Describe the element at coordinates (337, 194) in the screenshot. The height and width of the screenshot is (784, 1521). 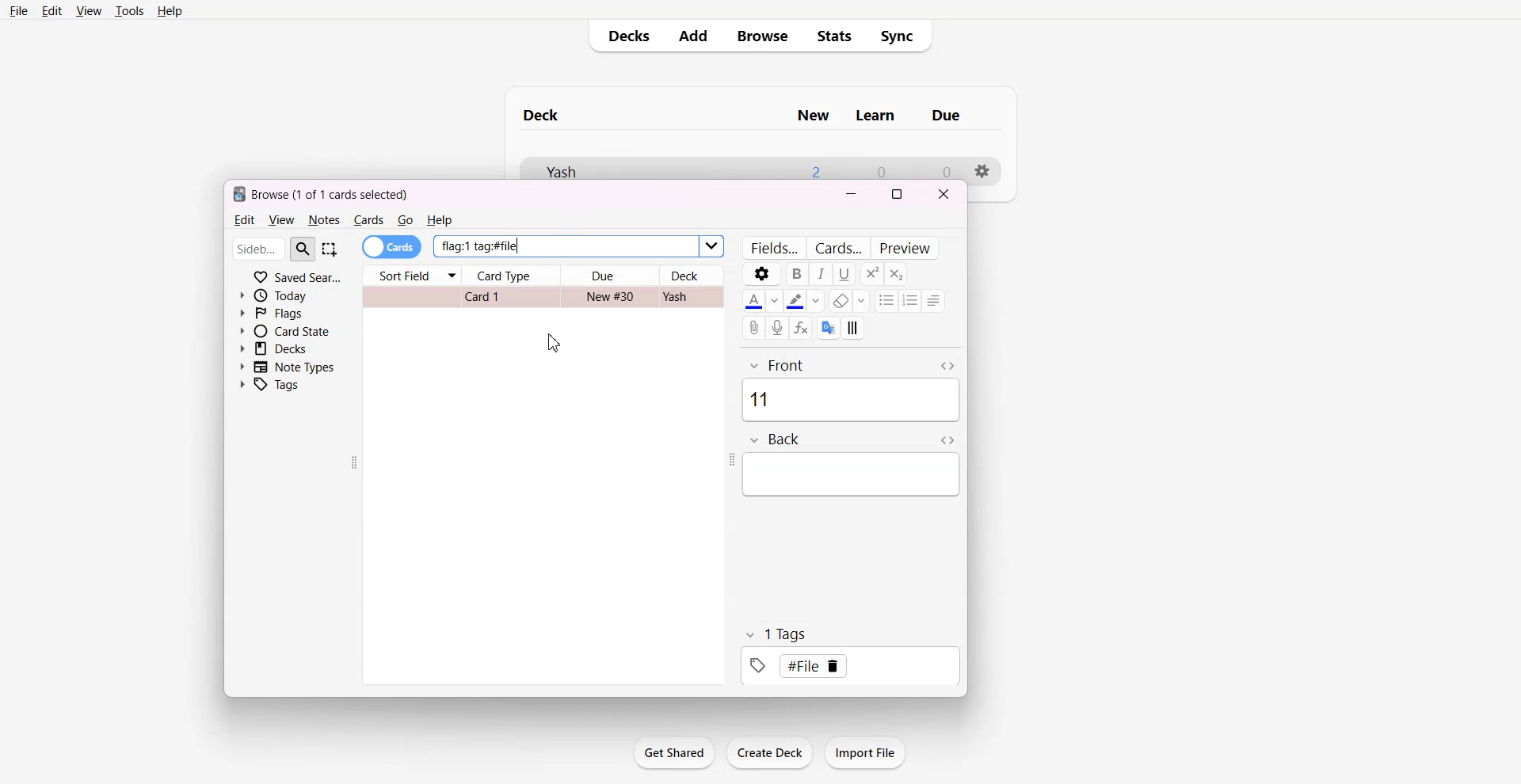
I see `Browse (0 of 0 cards selected)` at that location.